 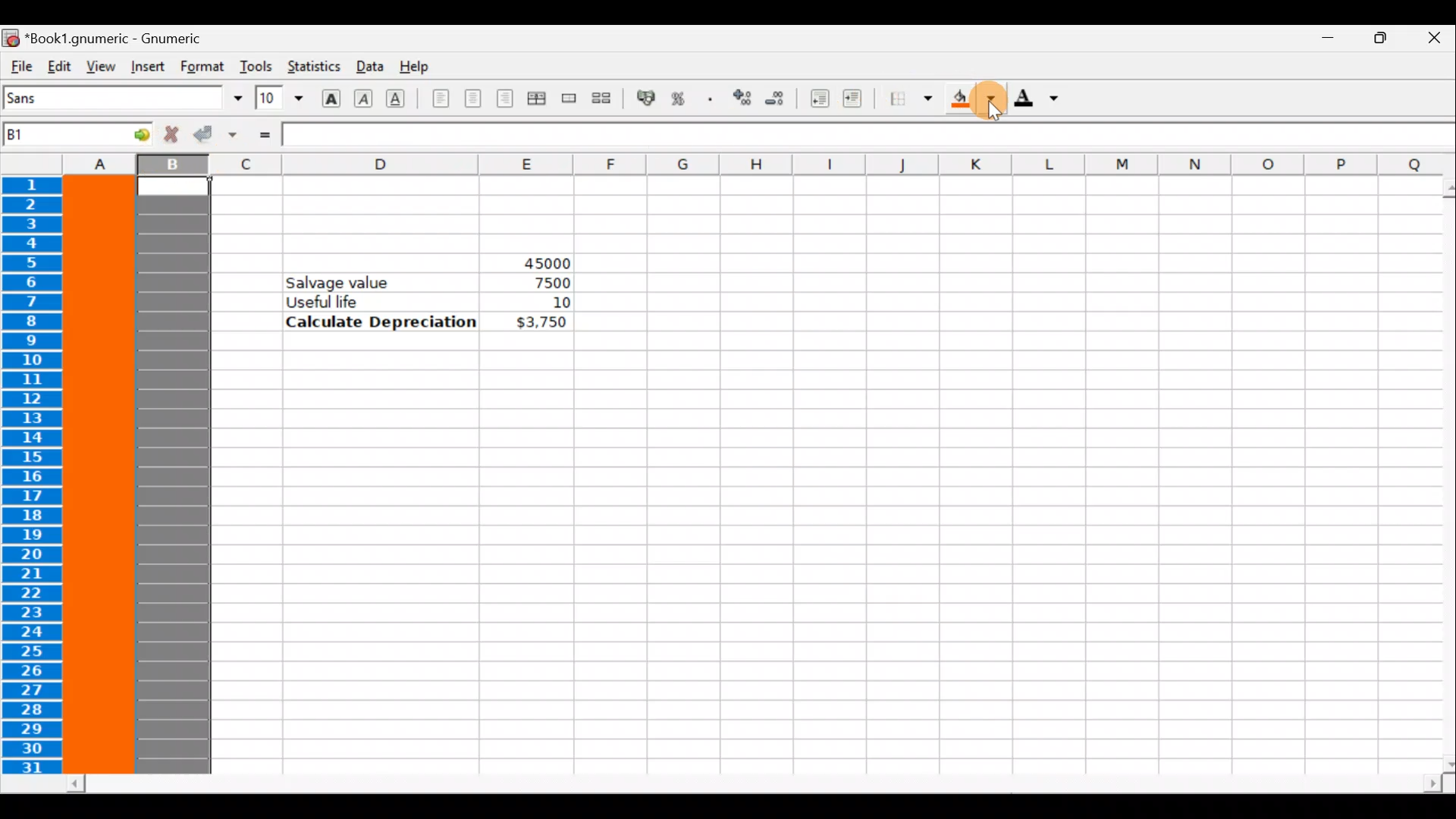 I want to click on Help, so click(x=419, y=67).